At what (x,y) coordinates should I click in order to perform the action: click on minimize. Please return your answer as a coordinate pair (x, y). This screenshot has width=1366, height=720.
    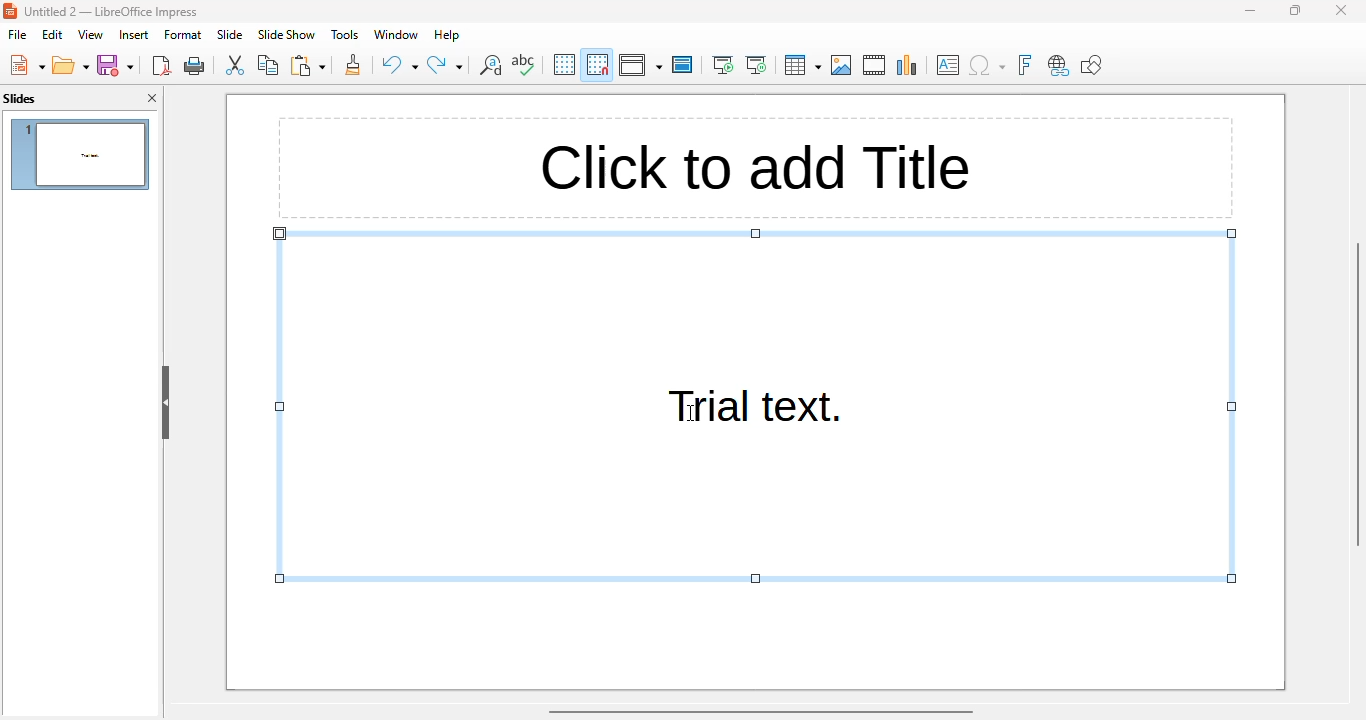
    Looking at the image, I should click on (1250, 11).